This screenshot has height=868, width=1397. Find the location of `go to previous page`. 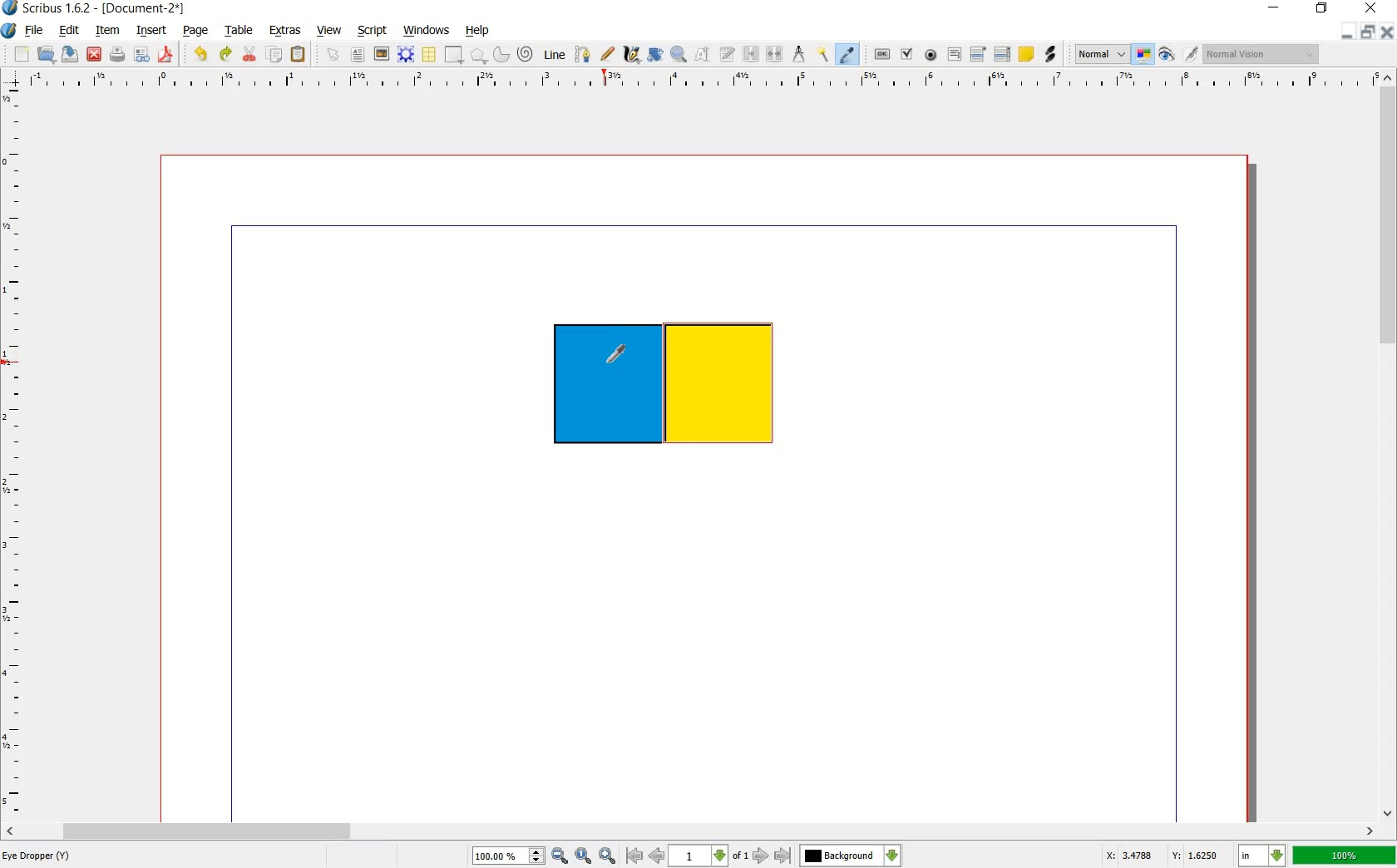

go to previous page is located at coordinates (658, 856).